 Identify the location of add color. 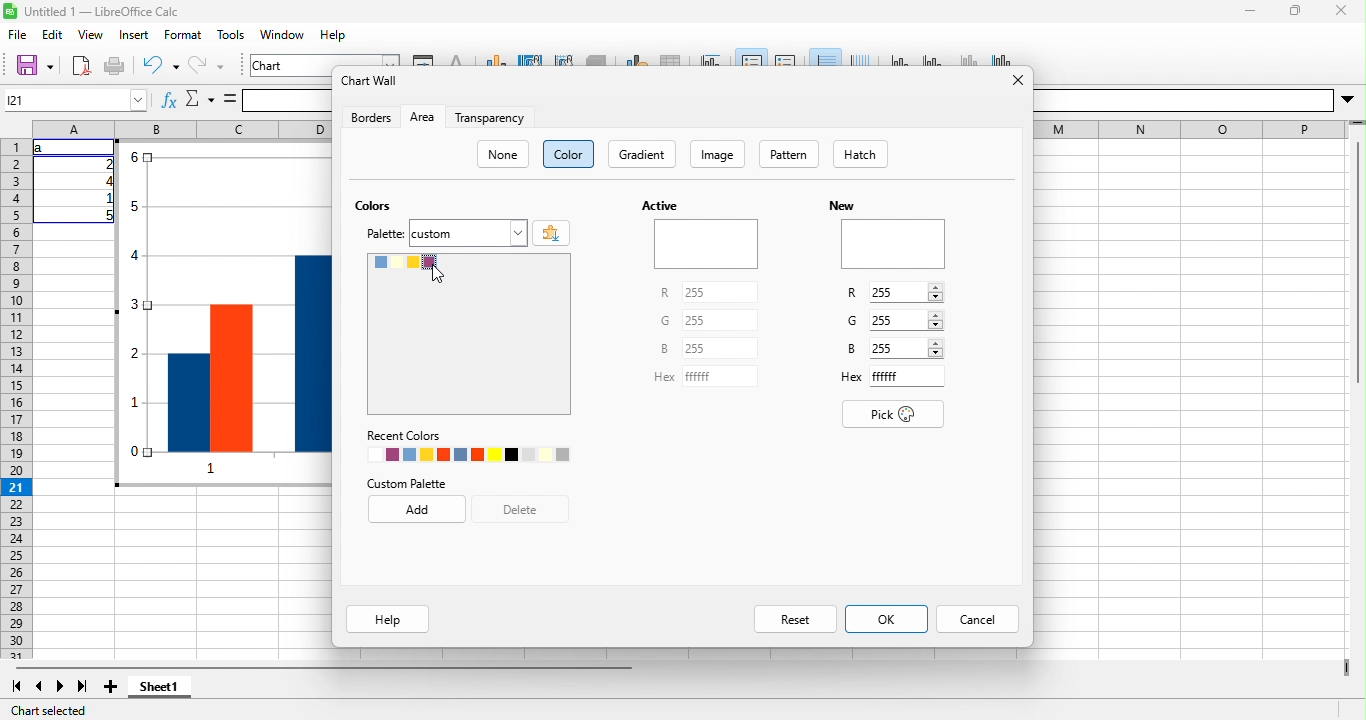
(551, 233).